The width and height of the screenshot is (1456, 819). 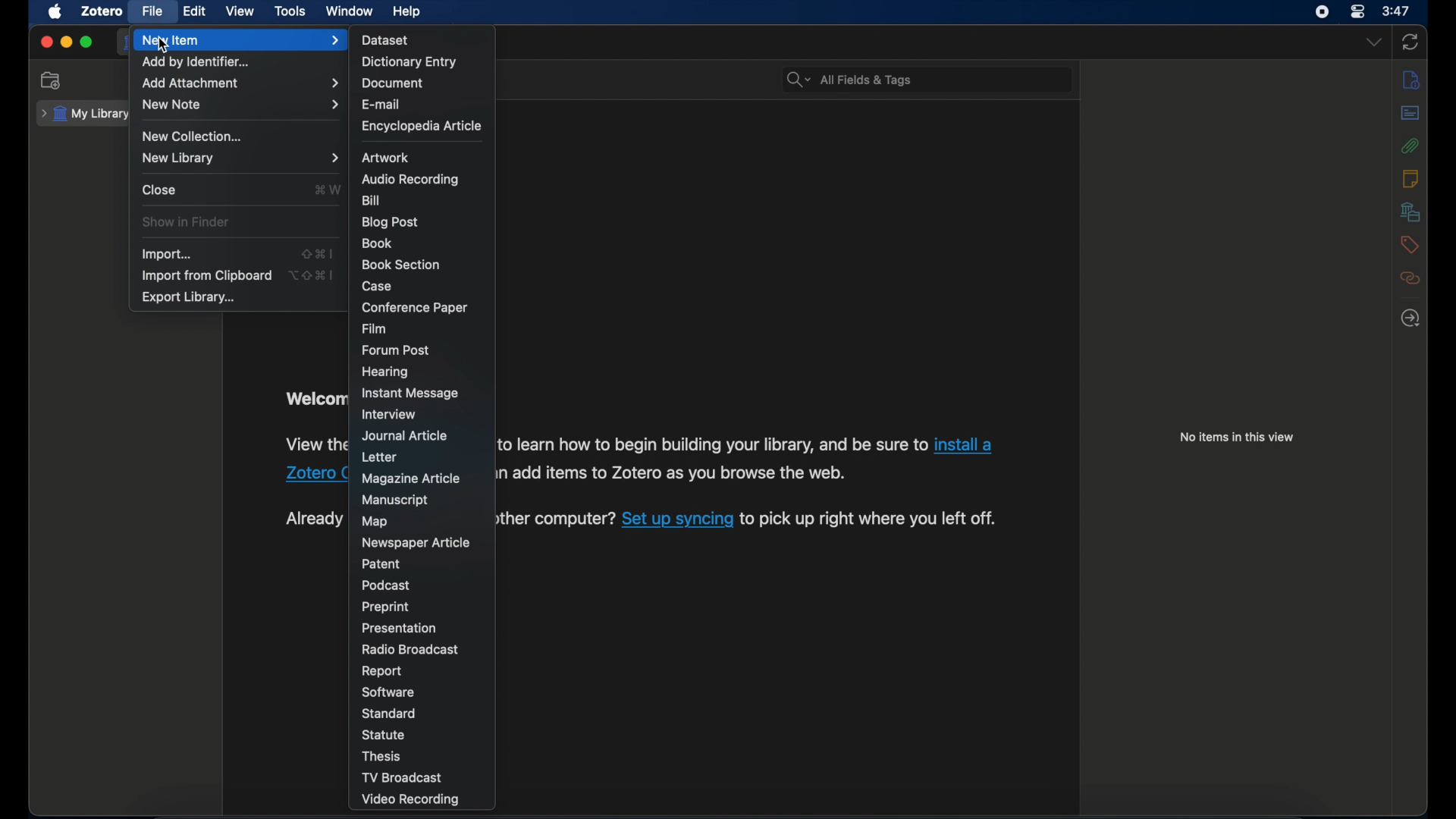 I want to click on syncing instruction, so click(x=559, y=519).